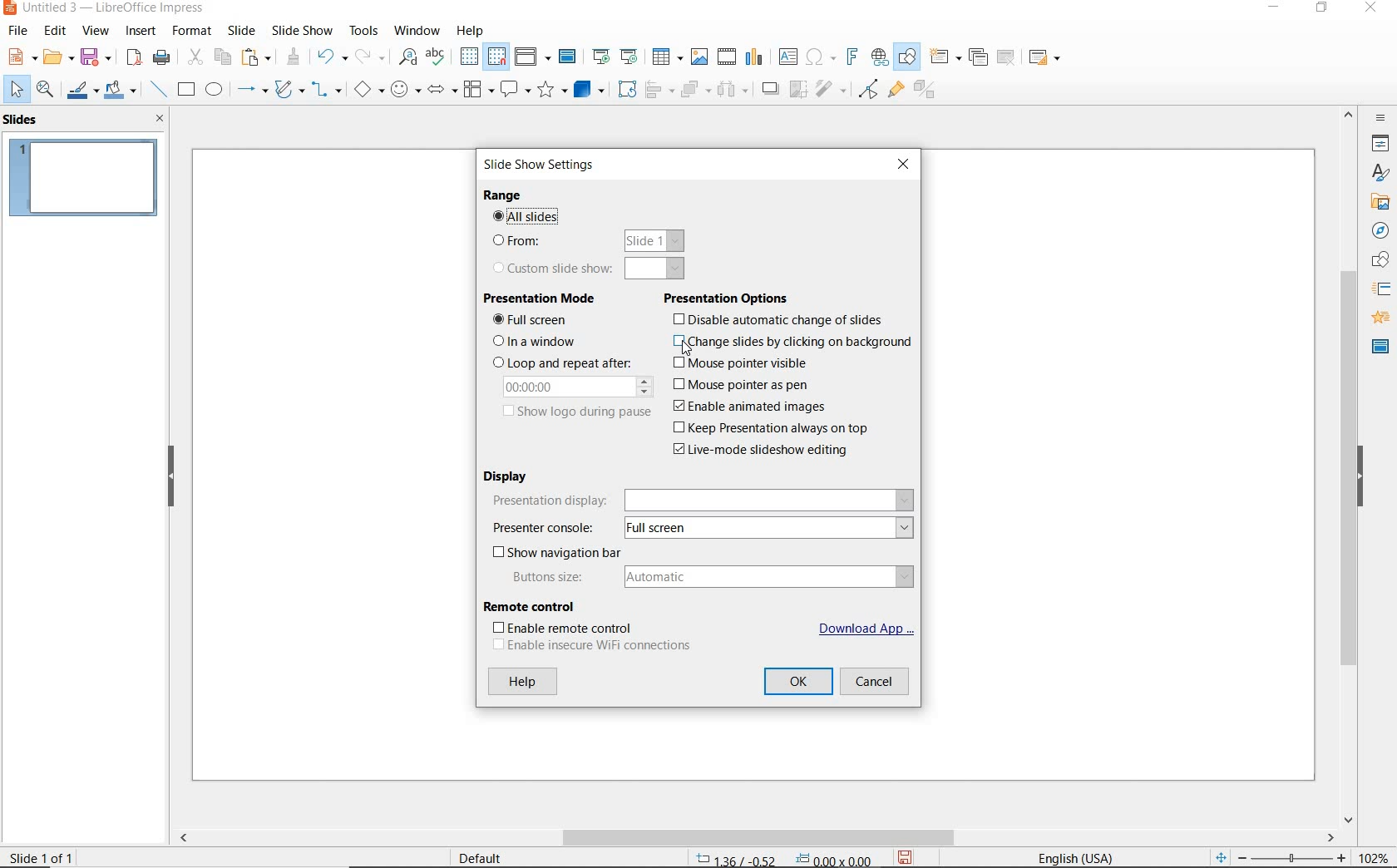 The image size is (1397, 868). What do you see at coordinates (746, 385) in the screenshot?
I see `mouse pointer as pen` at bounding box center [746, 385].